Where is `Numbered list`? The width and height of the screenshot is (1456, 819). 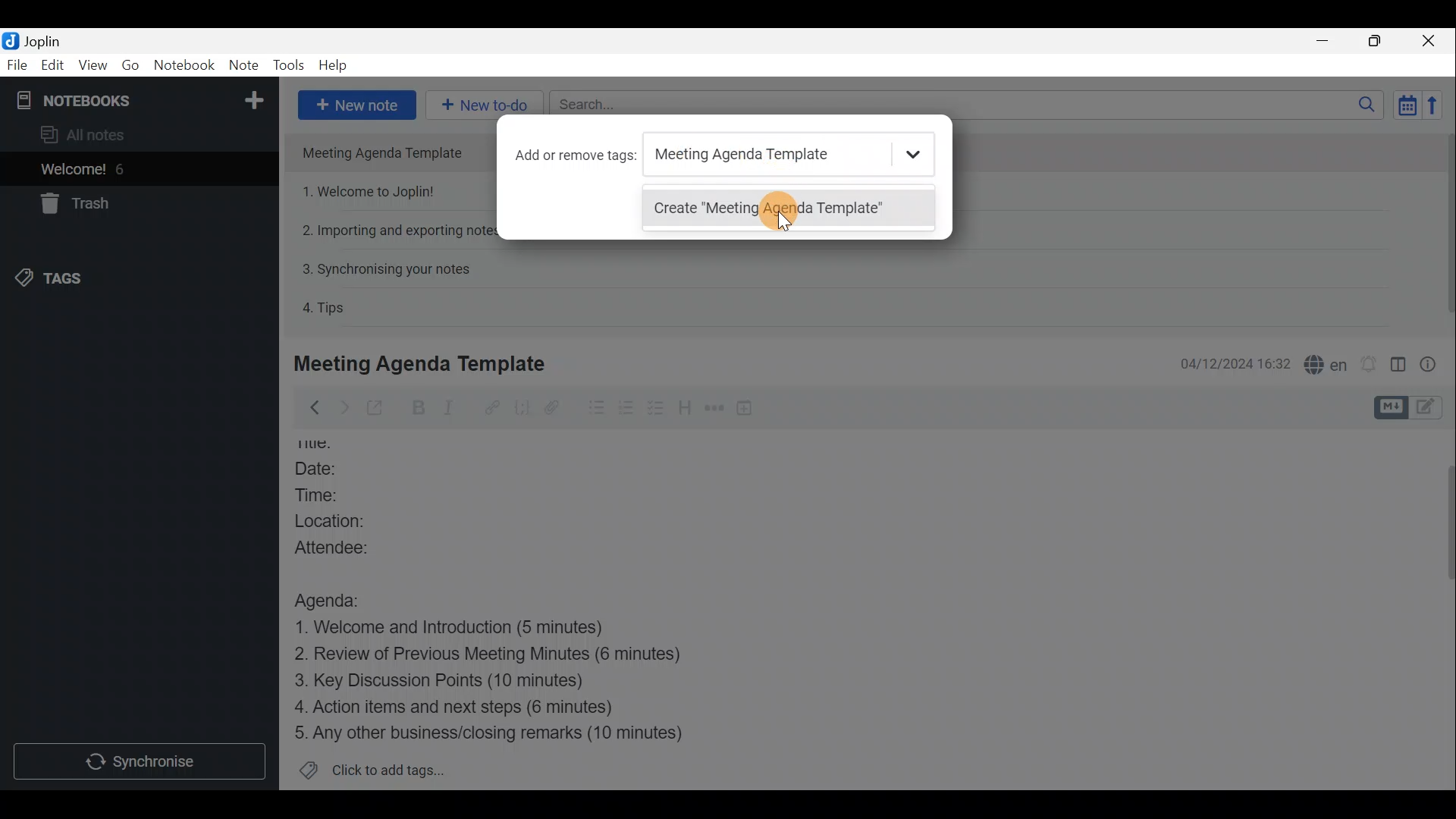 Numbered list is located at coordinates (626, 410).